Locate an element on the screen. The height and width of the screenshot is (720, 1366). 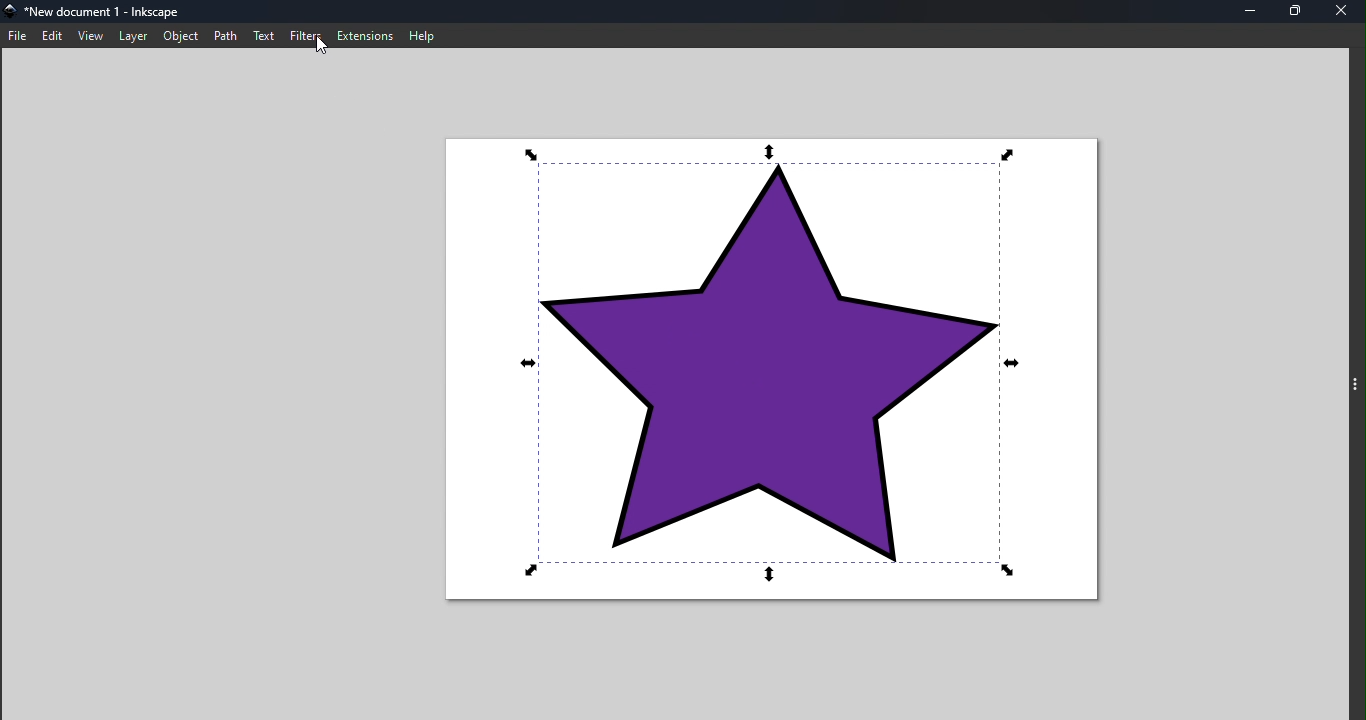
Edit is located at coordinates (51, 37).